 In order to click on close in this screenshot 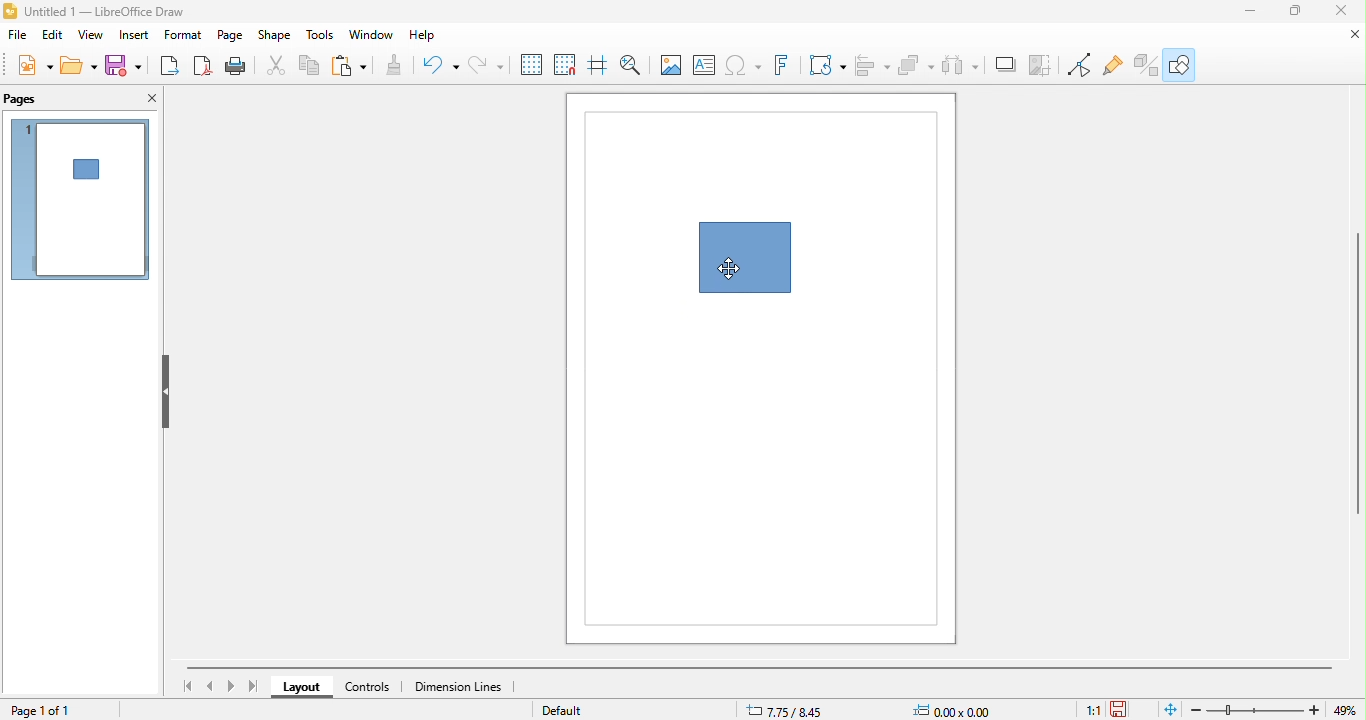, I will do `click(147, 99)`.